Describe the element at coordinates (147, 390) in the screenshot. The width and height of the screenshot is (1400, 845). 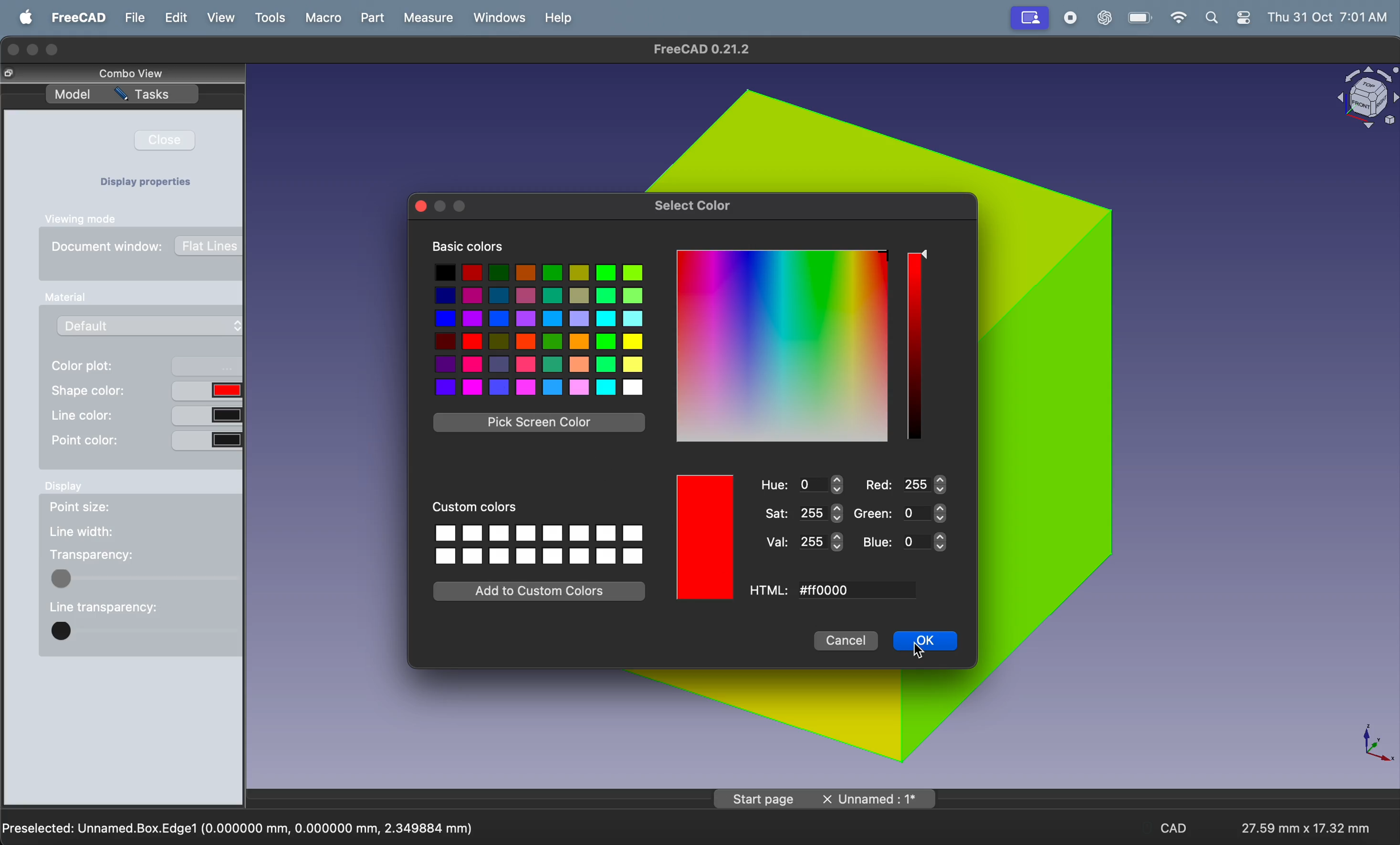
I see `shape color` at that location.